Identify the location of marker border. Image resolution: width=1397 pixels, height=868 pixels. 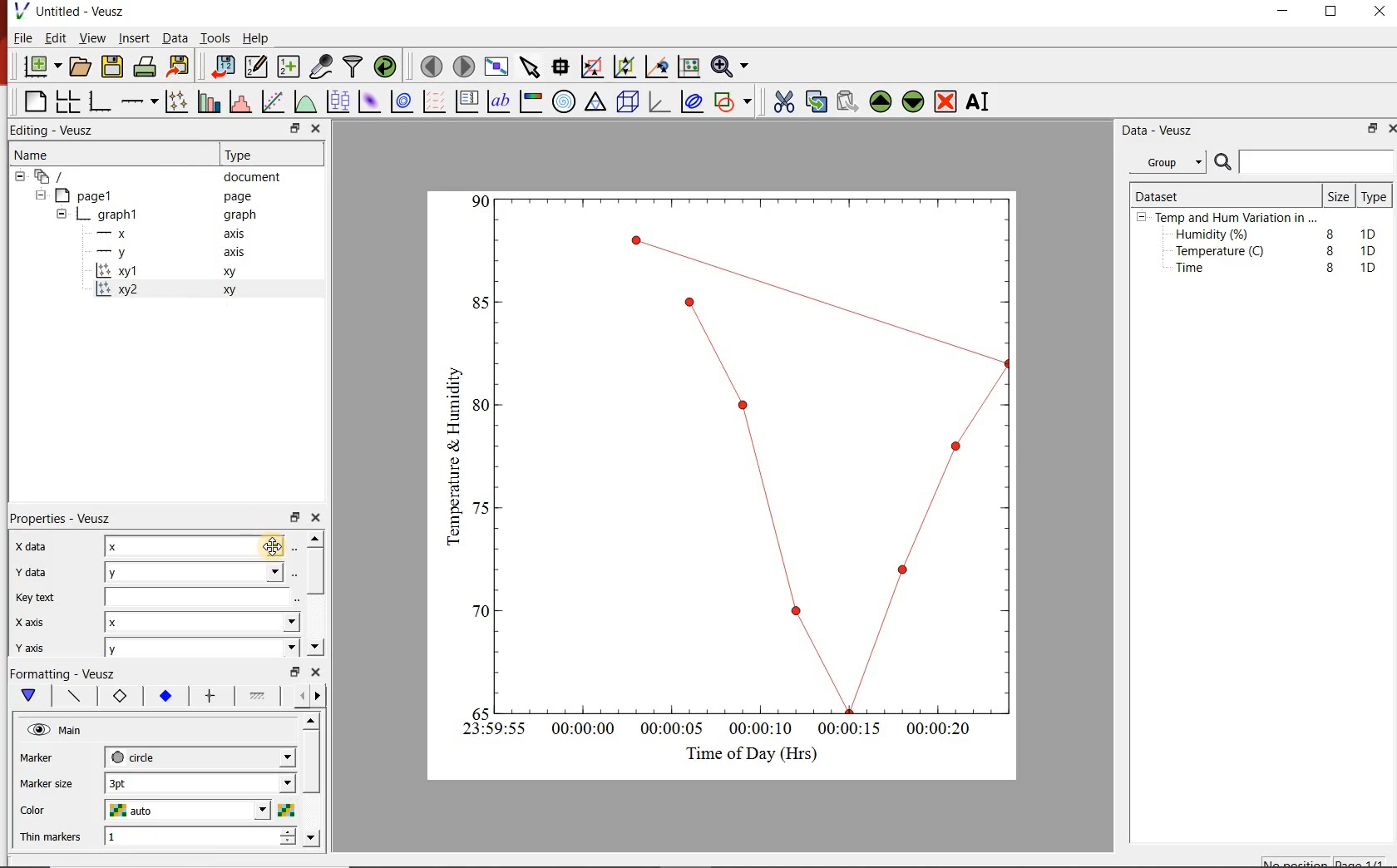
(121, 698).